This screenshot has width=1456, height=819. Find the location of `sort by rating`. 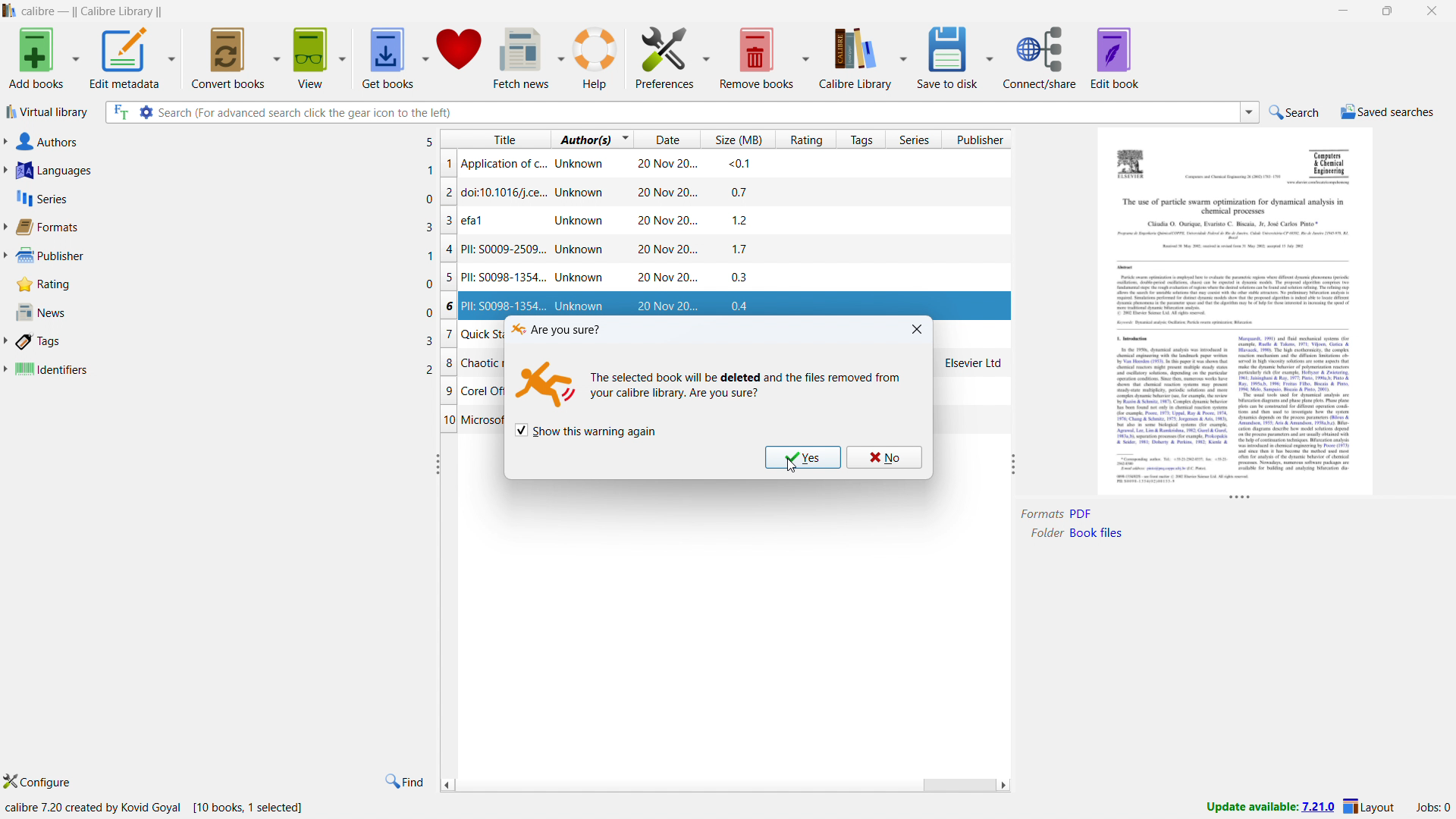

sort by rating is located at coordinates (805, 140).